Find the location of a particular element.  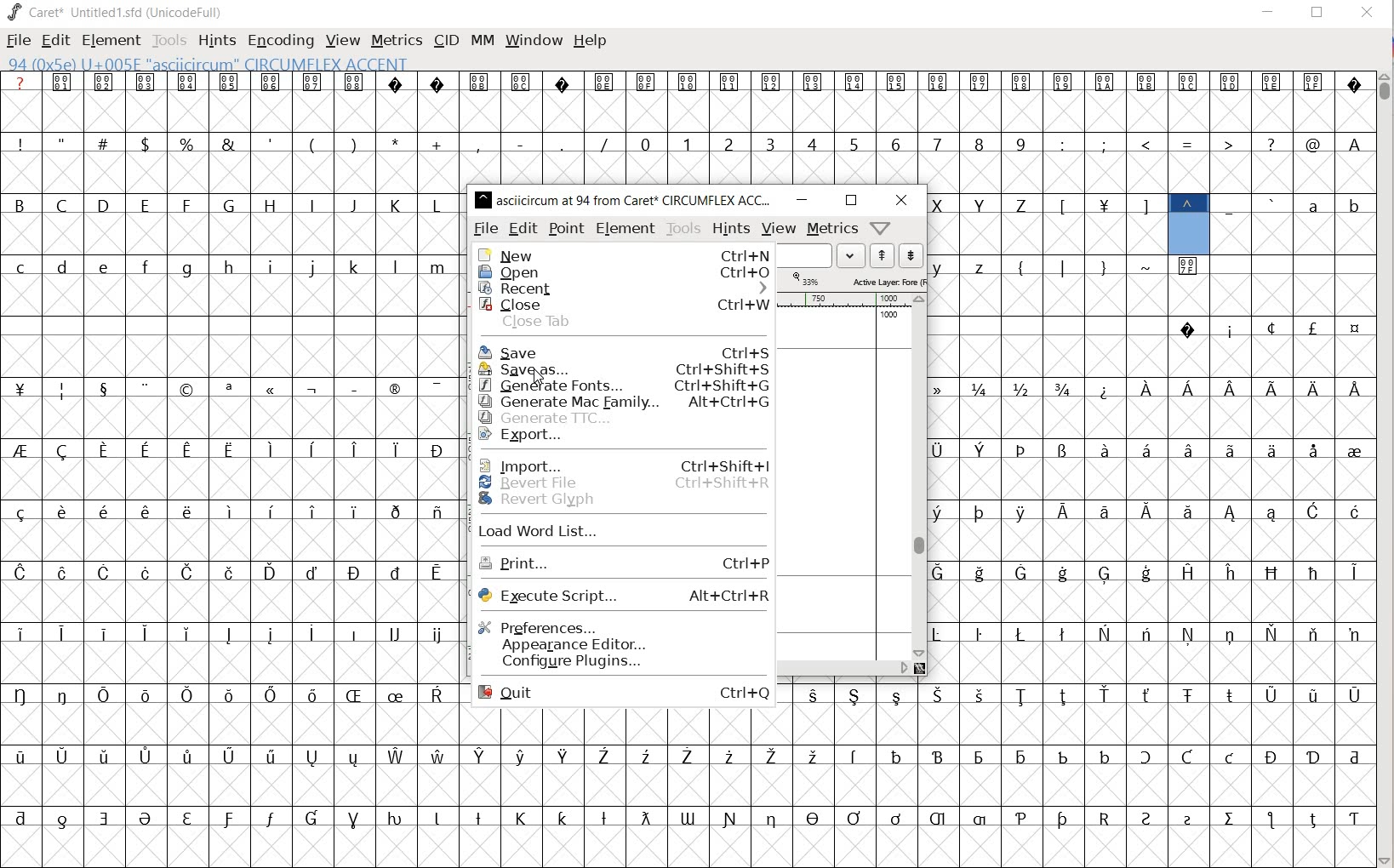

Save as is located at coordinates (623, 368).